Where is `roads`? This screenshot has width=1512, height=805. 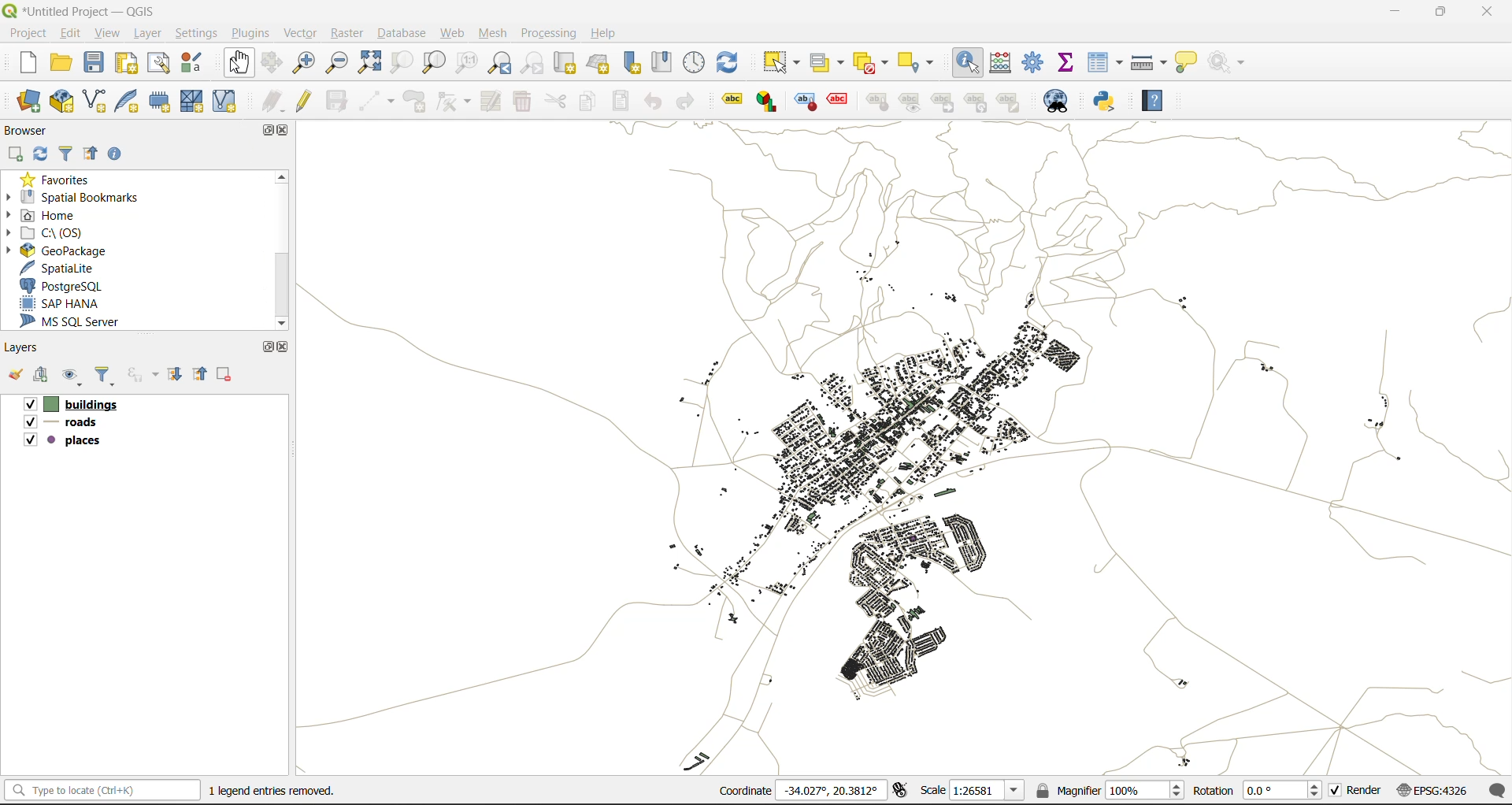 roads is located at coordinates (74, 421).